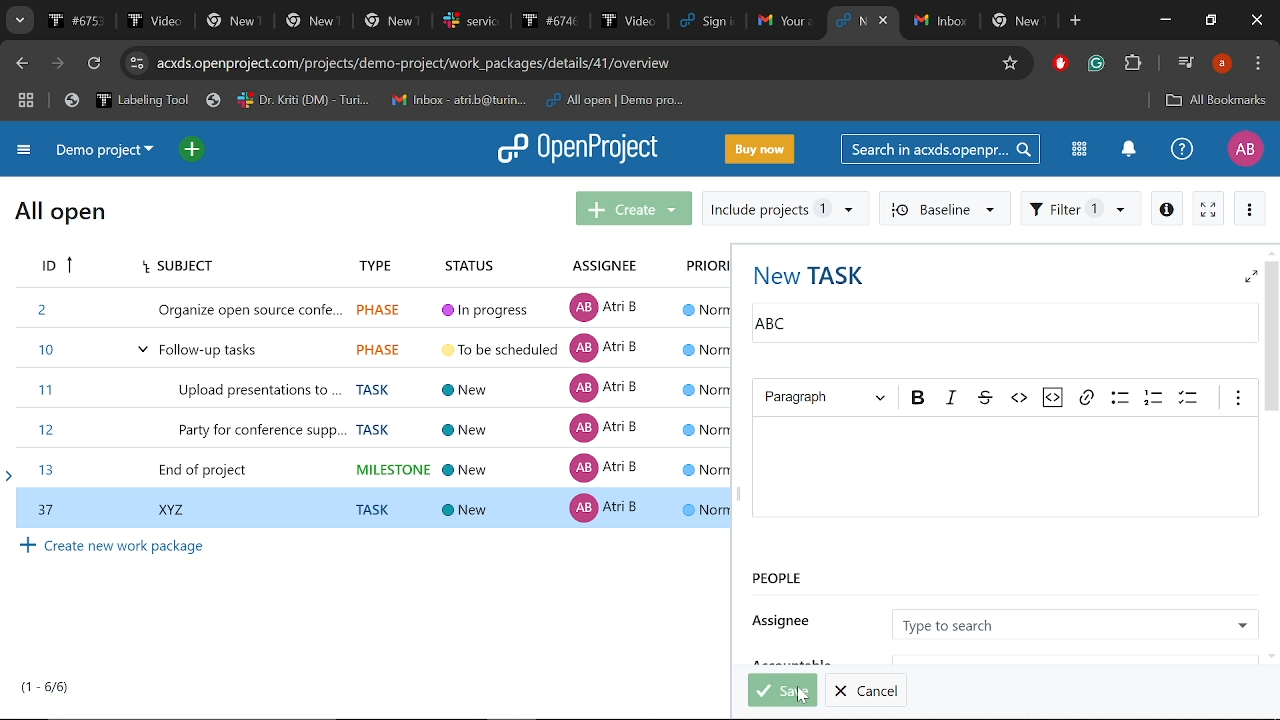 This screenshot has width=1280, height=720. Describe the element at coordinates (803, 695) in the screenshot. I see `Cursor` at that location.